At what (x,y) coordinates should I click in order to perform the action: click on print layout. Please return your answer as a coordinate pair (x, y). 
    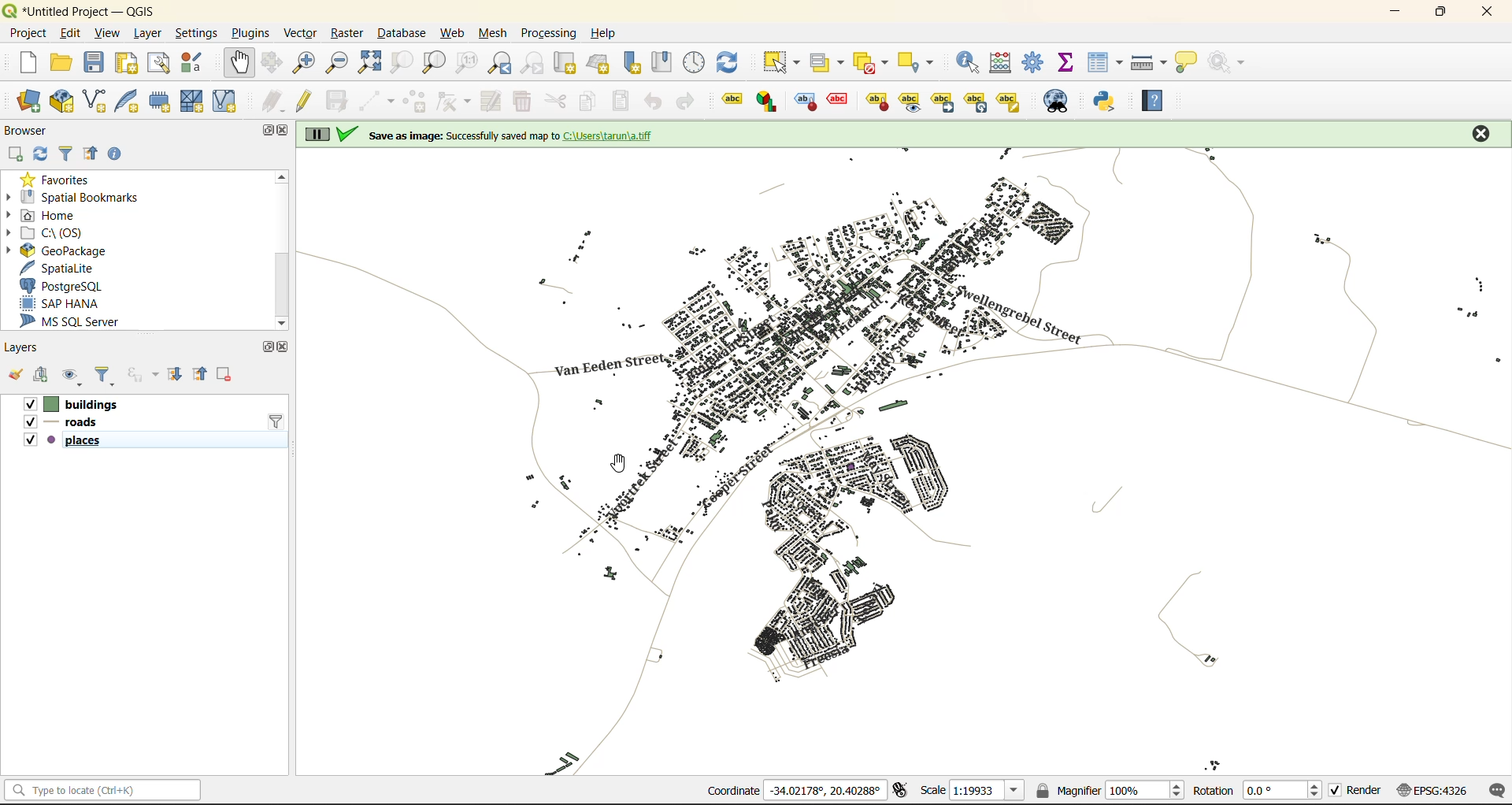
    Looking at the image, I should click on (124, 61).